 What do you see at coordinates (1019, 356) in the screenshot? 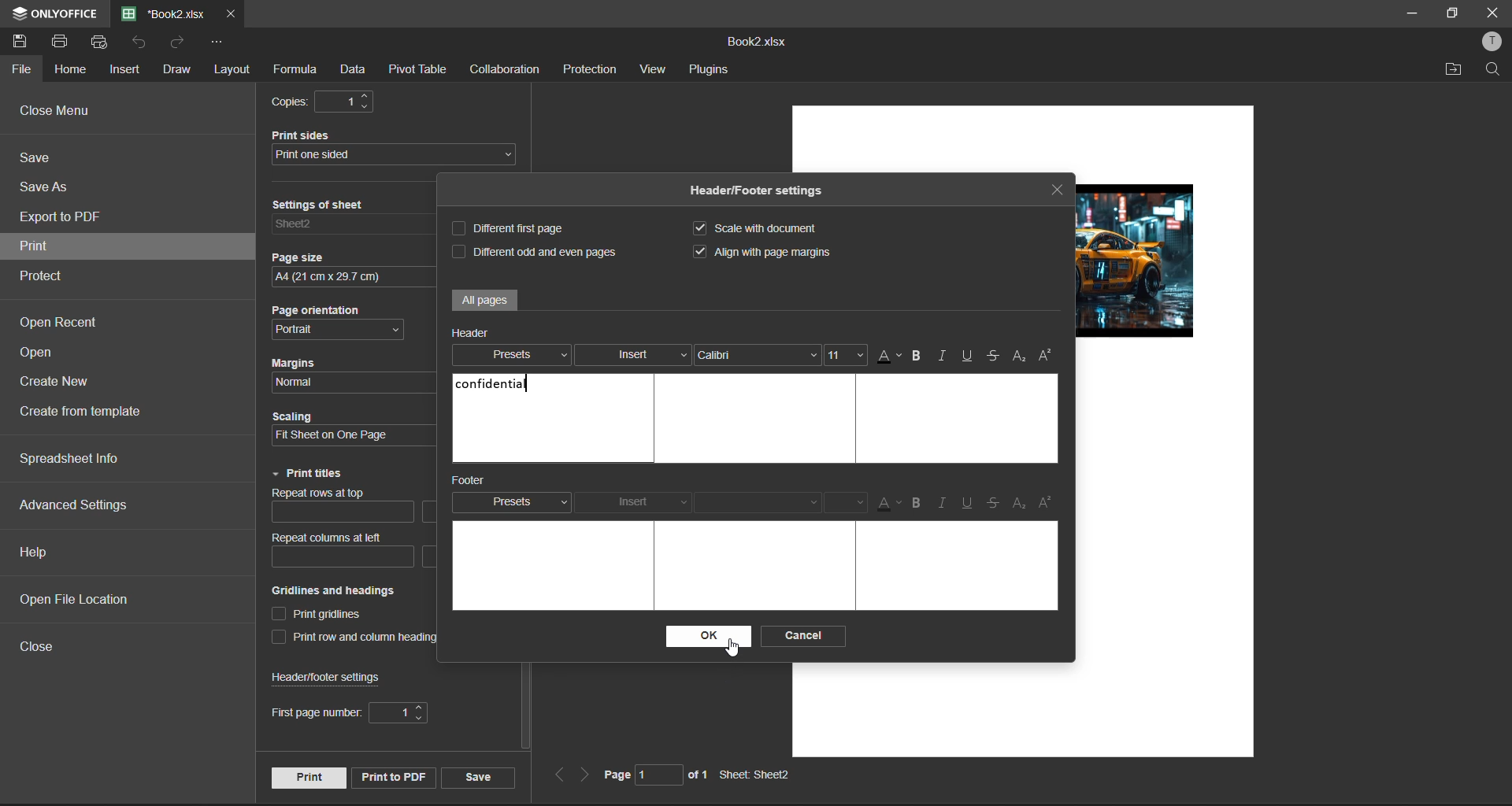
I see `subscript` at bounding box center [1019, 356].